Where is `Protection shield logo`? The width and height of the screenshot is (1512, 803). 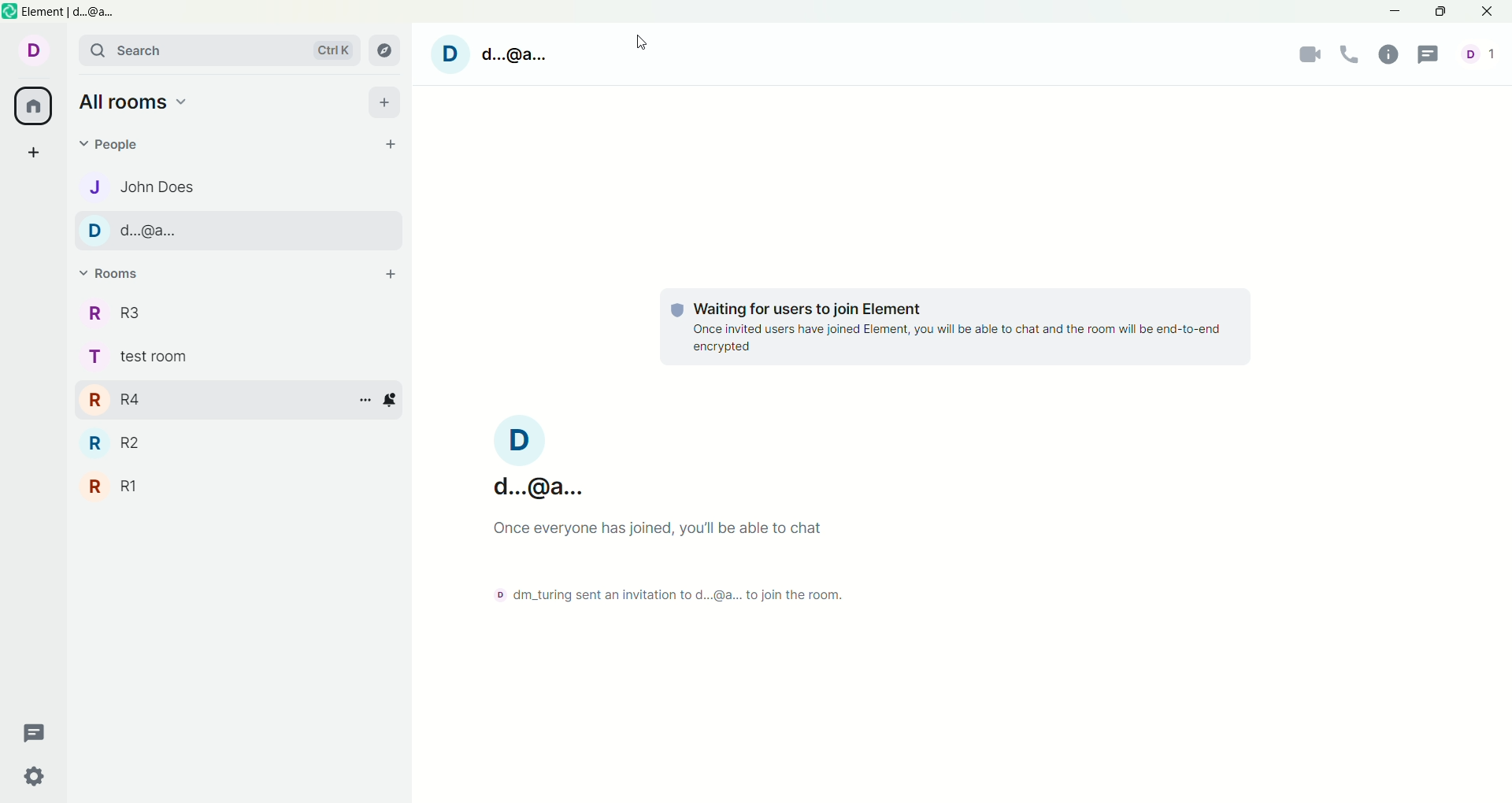 Protection shield logo is located at coordinates (677, 310).